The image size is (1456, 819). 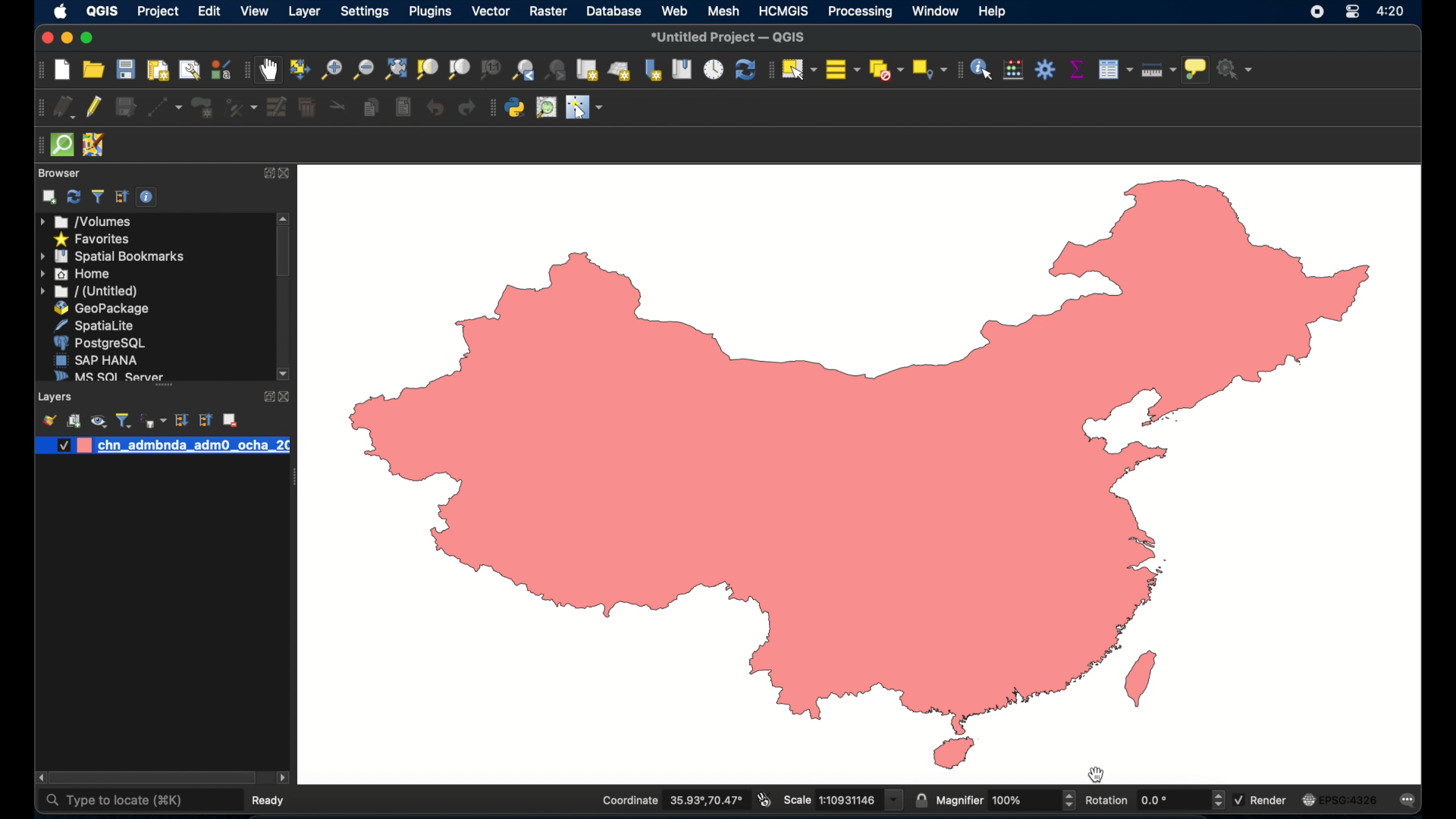 I want to click on quicksom, so click(x=61, y=146).